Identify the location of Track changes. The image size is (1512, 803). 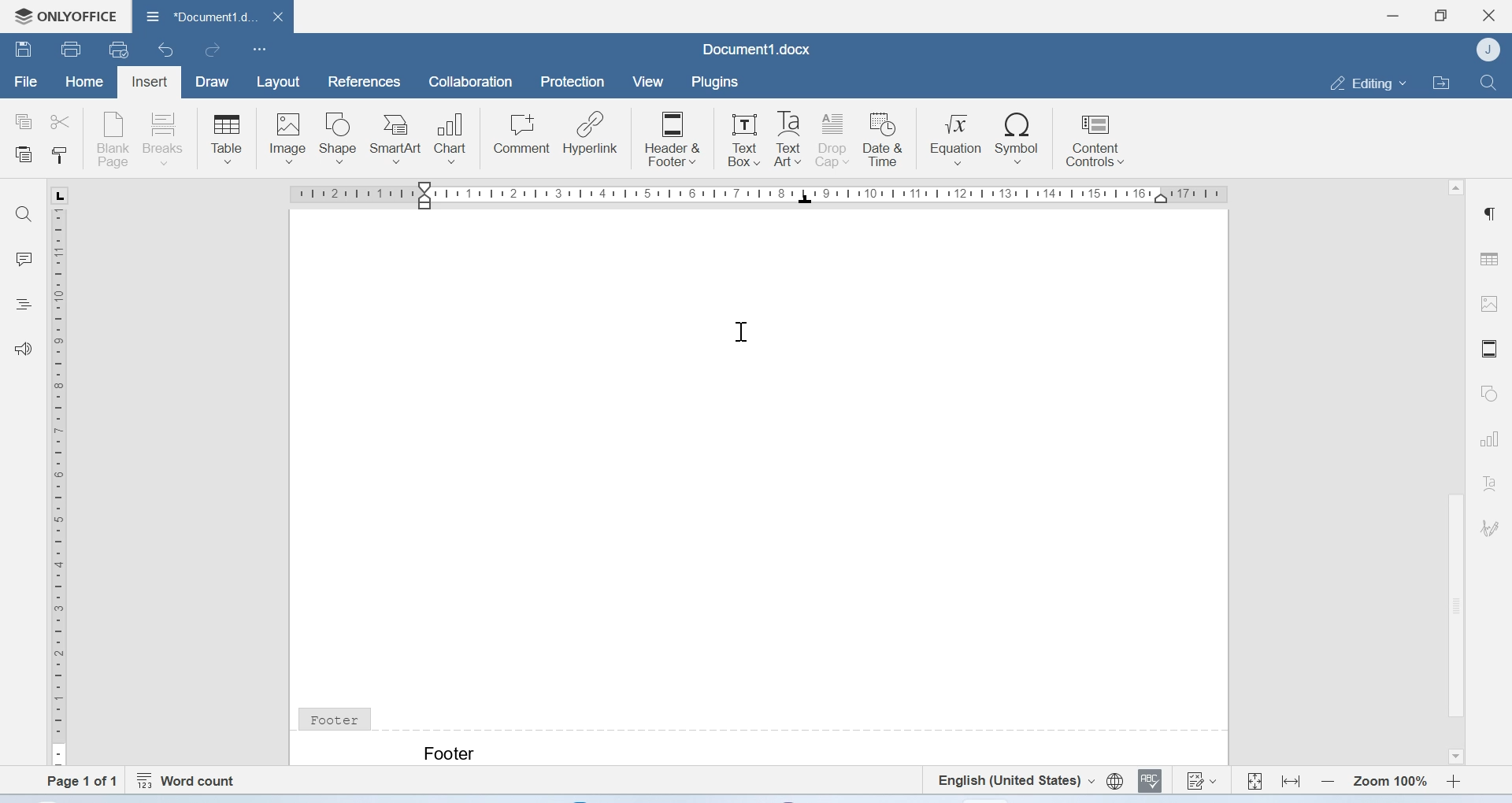
(1203, 783).